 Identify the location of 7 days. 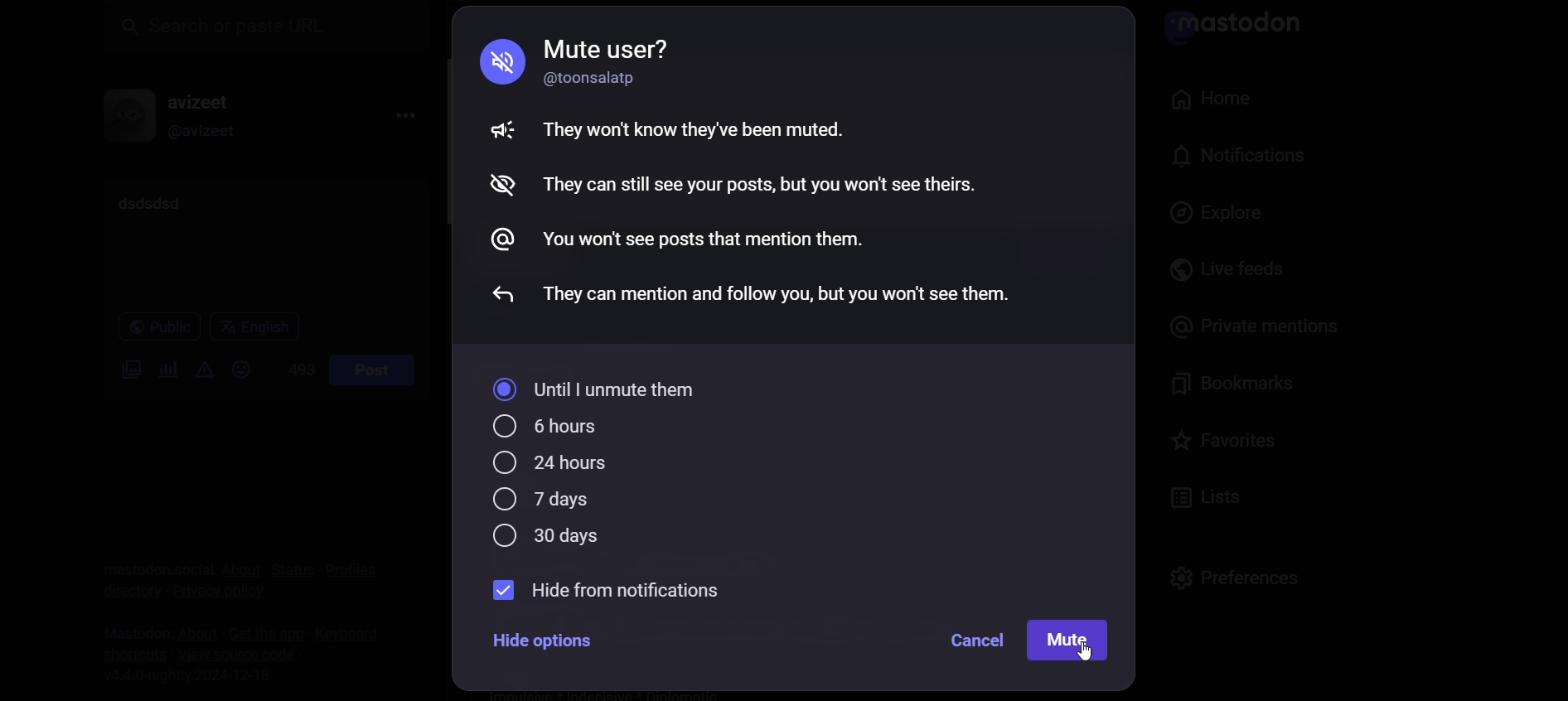
(546, 500).